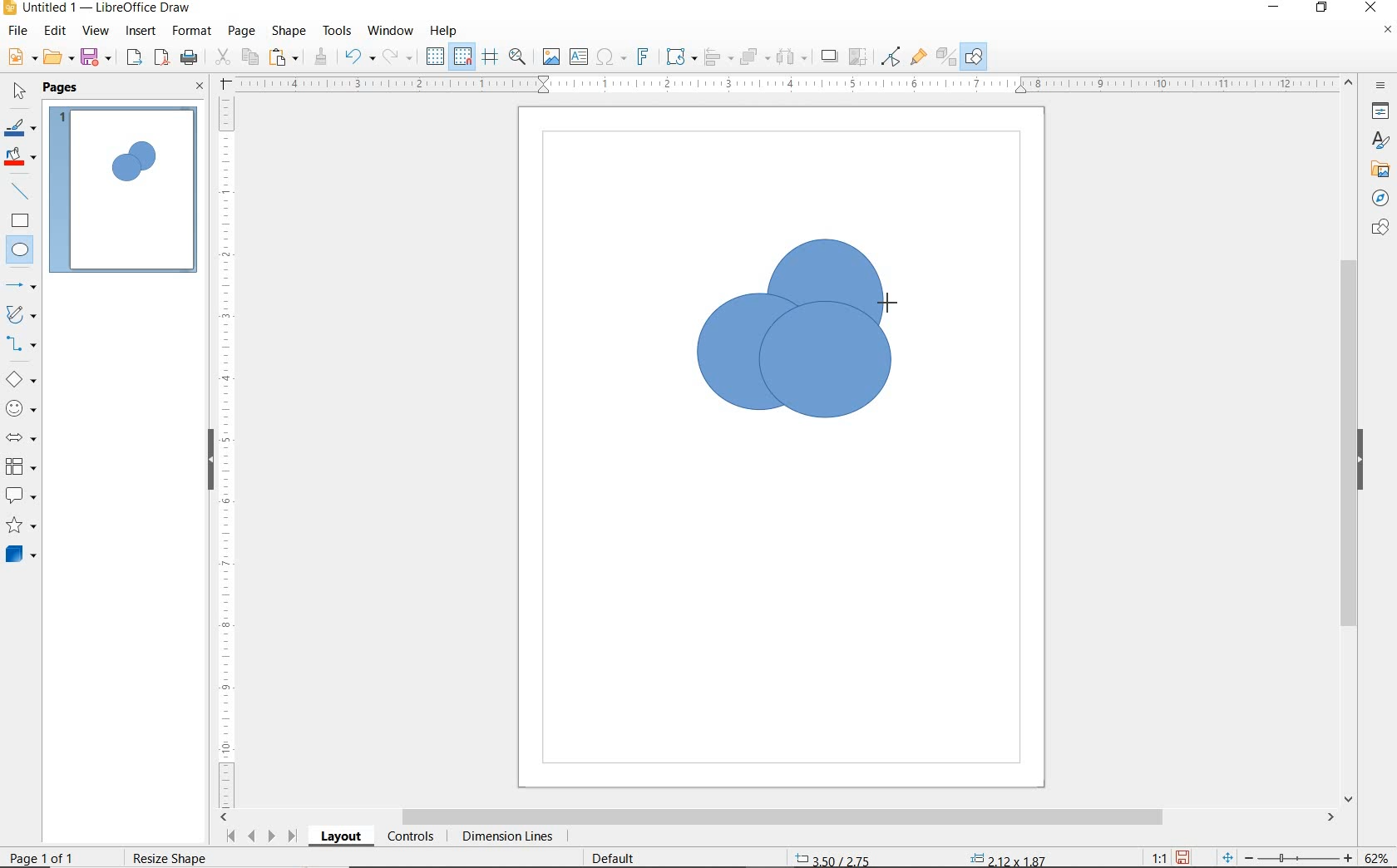  Describe the element at coordinates (250, 56) in the screenshot. I see `COPY` at that location.